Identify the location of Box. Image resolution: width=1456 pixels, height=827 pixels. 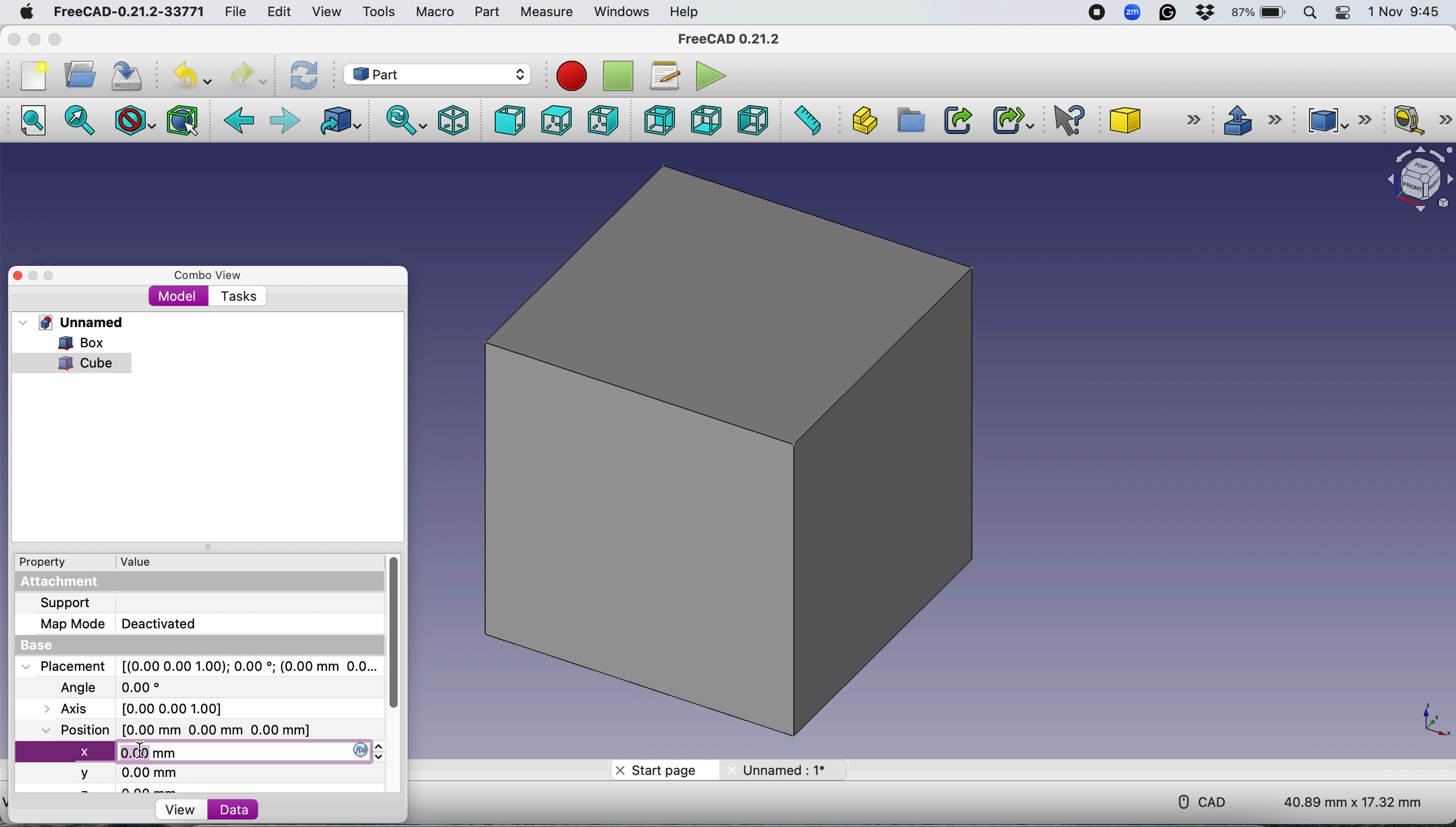
(70, 343).